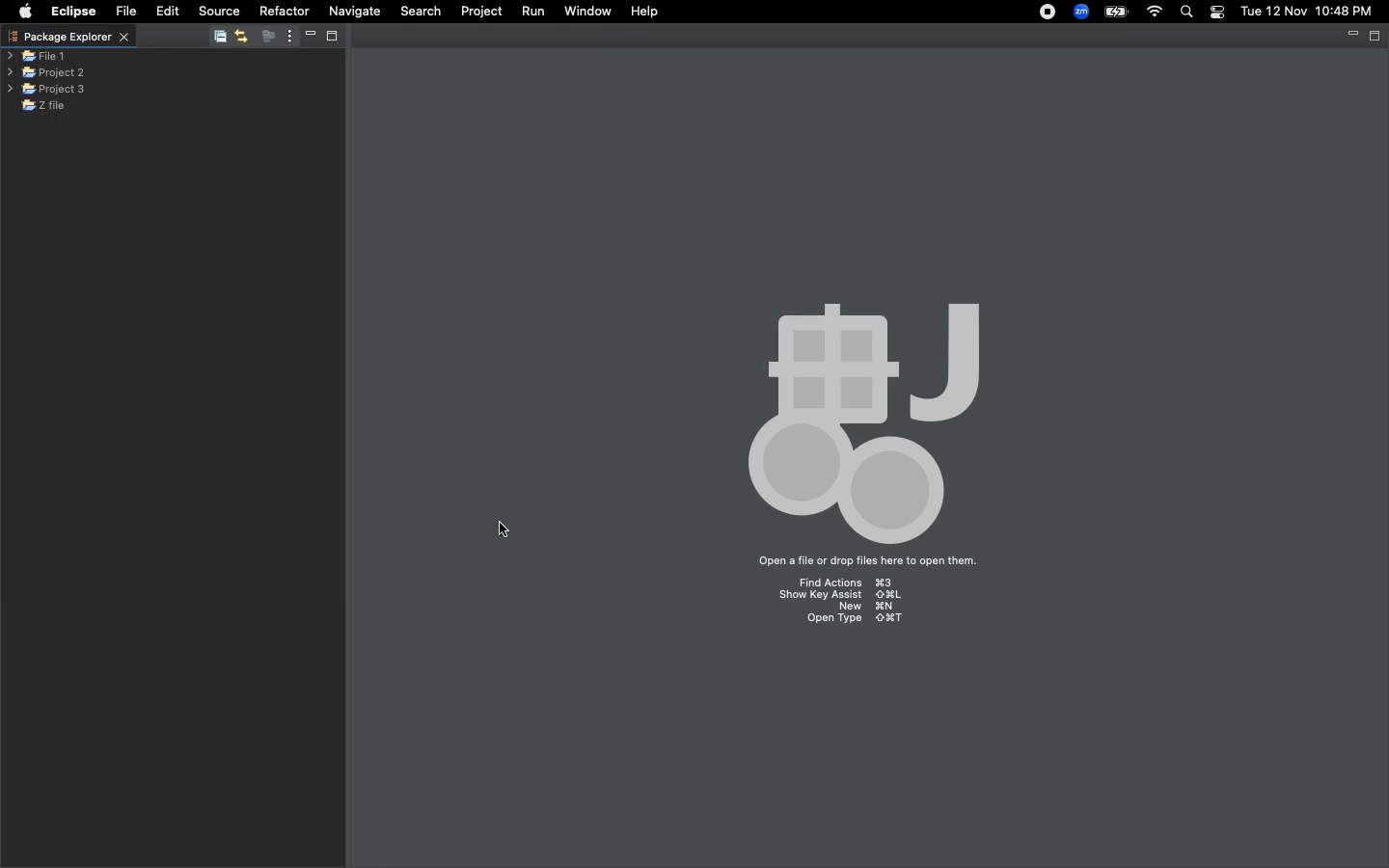 Image resolution: width=1389 pixels, height=868 pixels. What do you see at coordinates (1049, 14) in the screenshot?
I see `Recording` at bounding box center [1049, 14].